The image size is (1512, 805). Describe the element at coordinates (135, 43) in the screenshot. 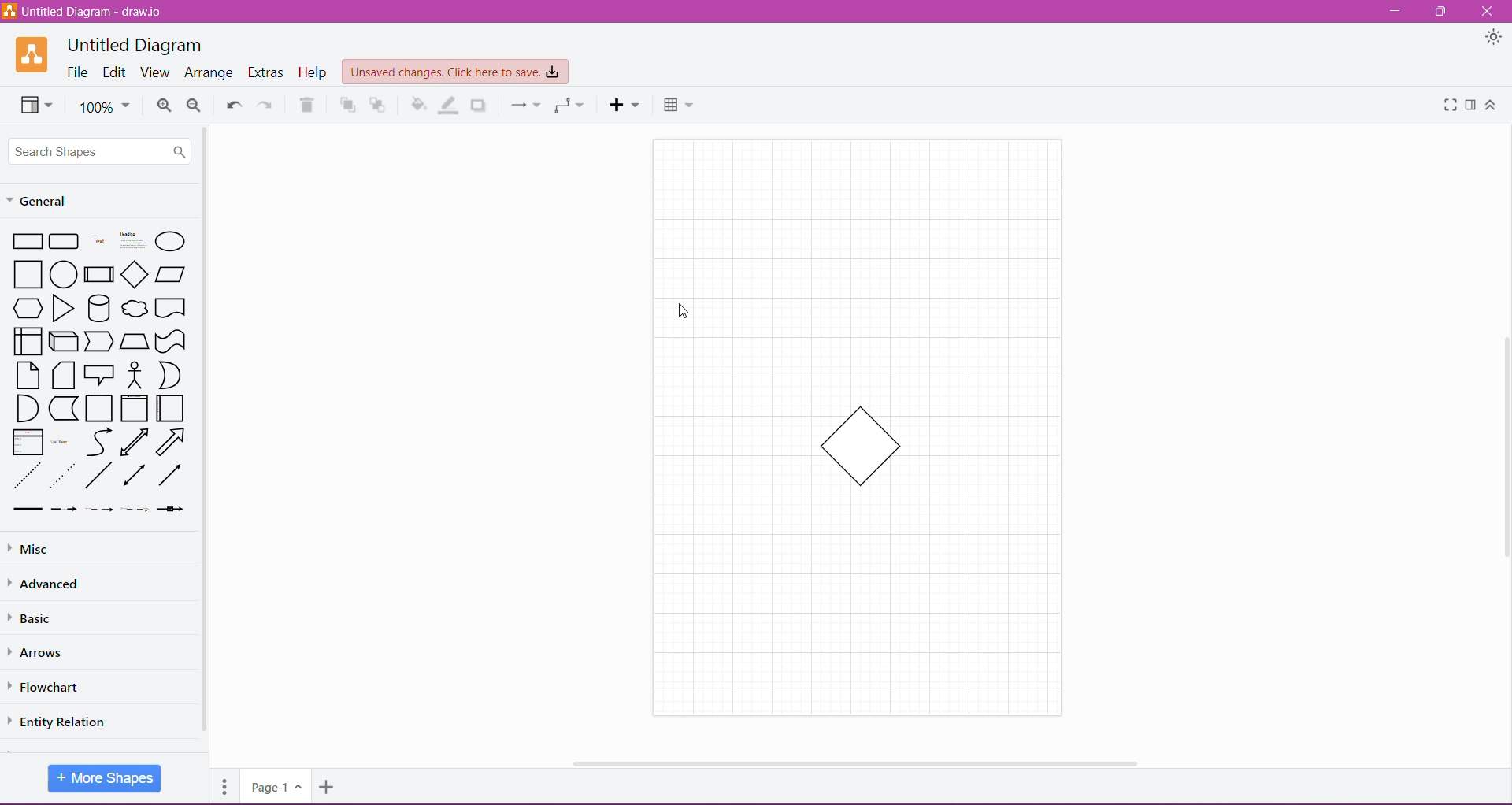

I see `Untitled Diagram` at that location.